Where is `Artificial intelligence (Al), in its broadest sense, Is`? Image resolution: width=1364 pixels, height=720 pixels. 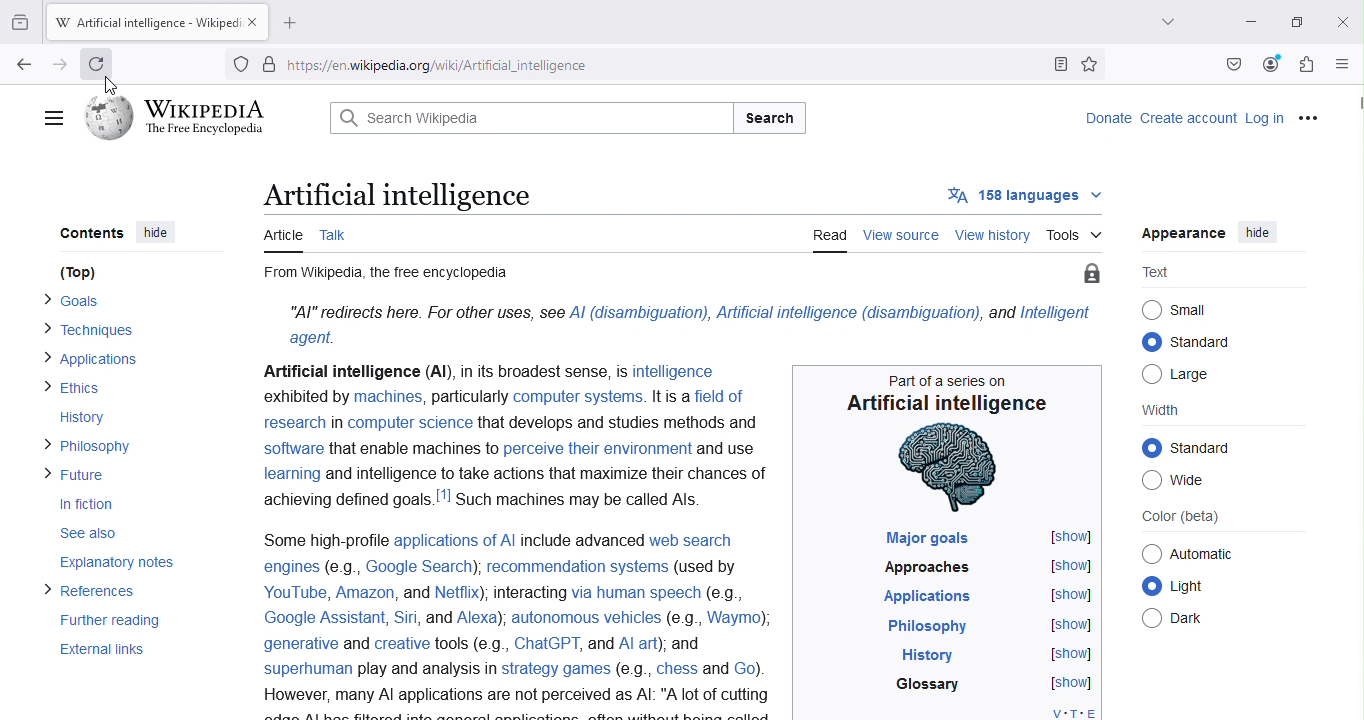 Artificial intelligence (Al), in its broadest sense, Is is located at coordinates (441, 371).